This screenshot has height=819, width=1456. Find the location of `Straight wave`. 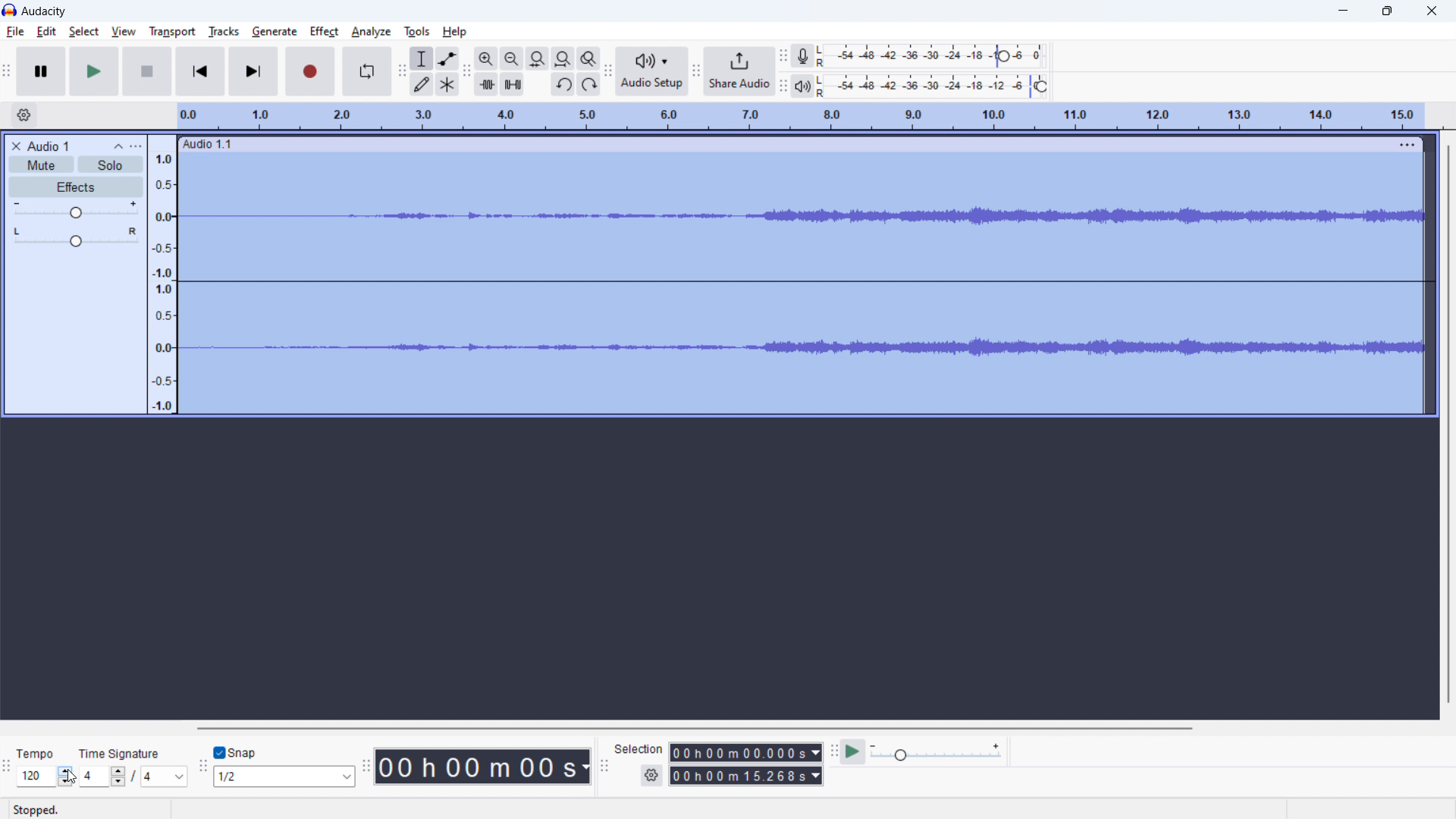

Straight wave is located at coordinates (805, 277).